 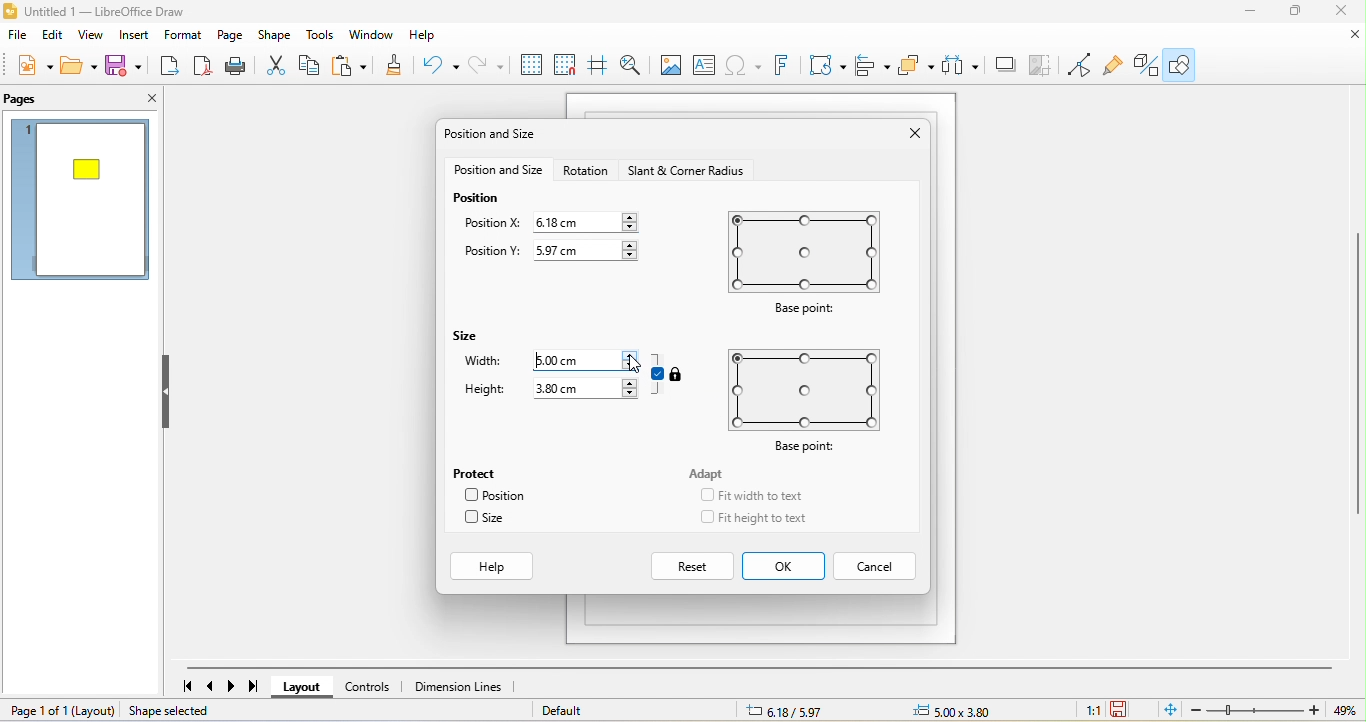 I want to click on position y, so click(x=485, y=253).